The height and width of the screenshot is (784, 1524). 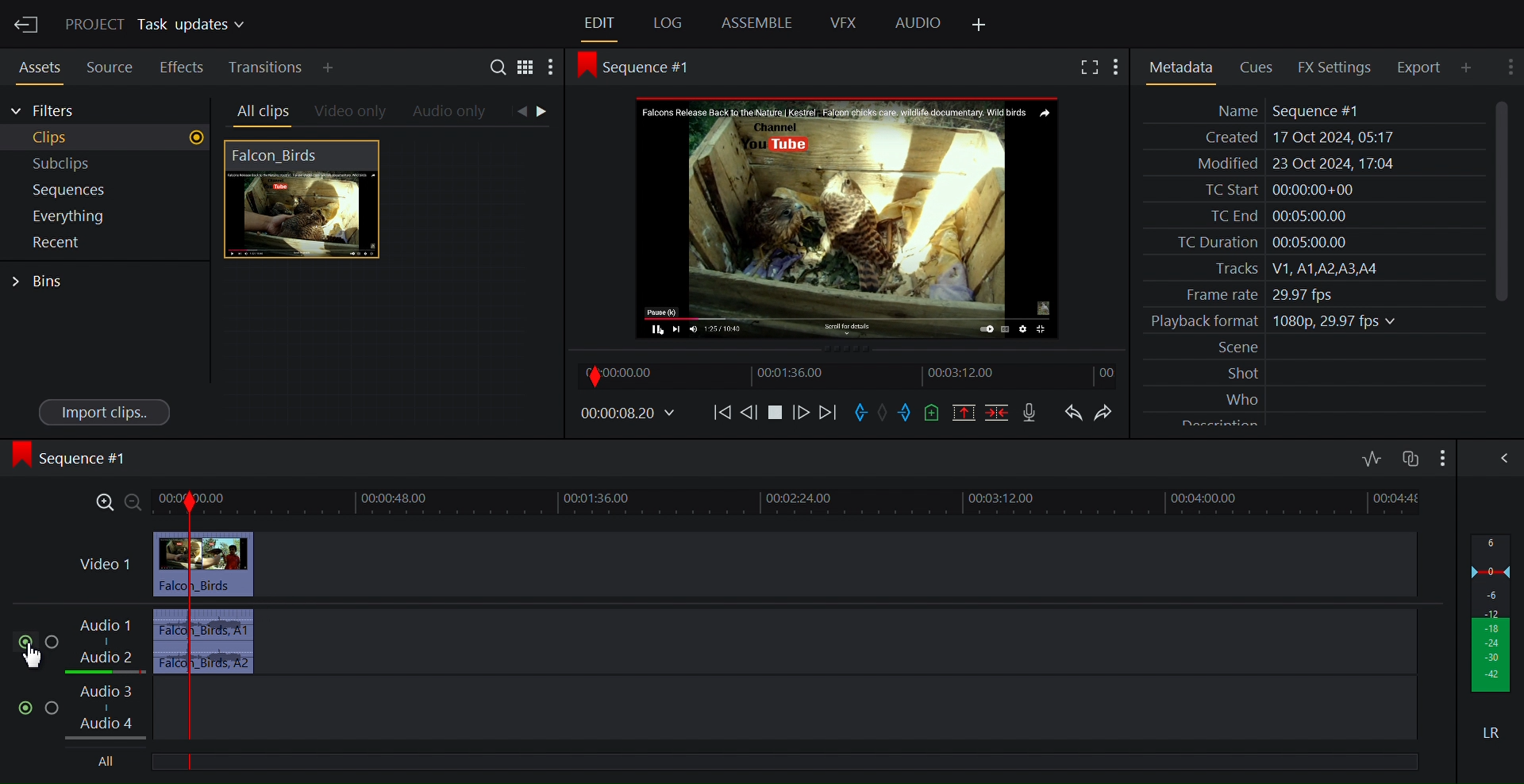 I want to click on Import clips, so click(x=106, y=411).